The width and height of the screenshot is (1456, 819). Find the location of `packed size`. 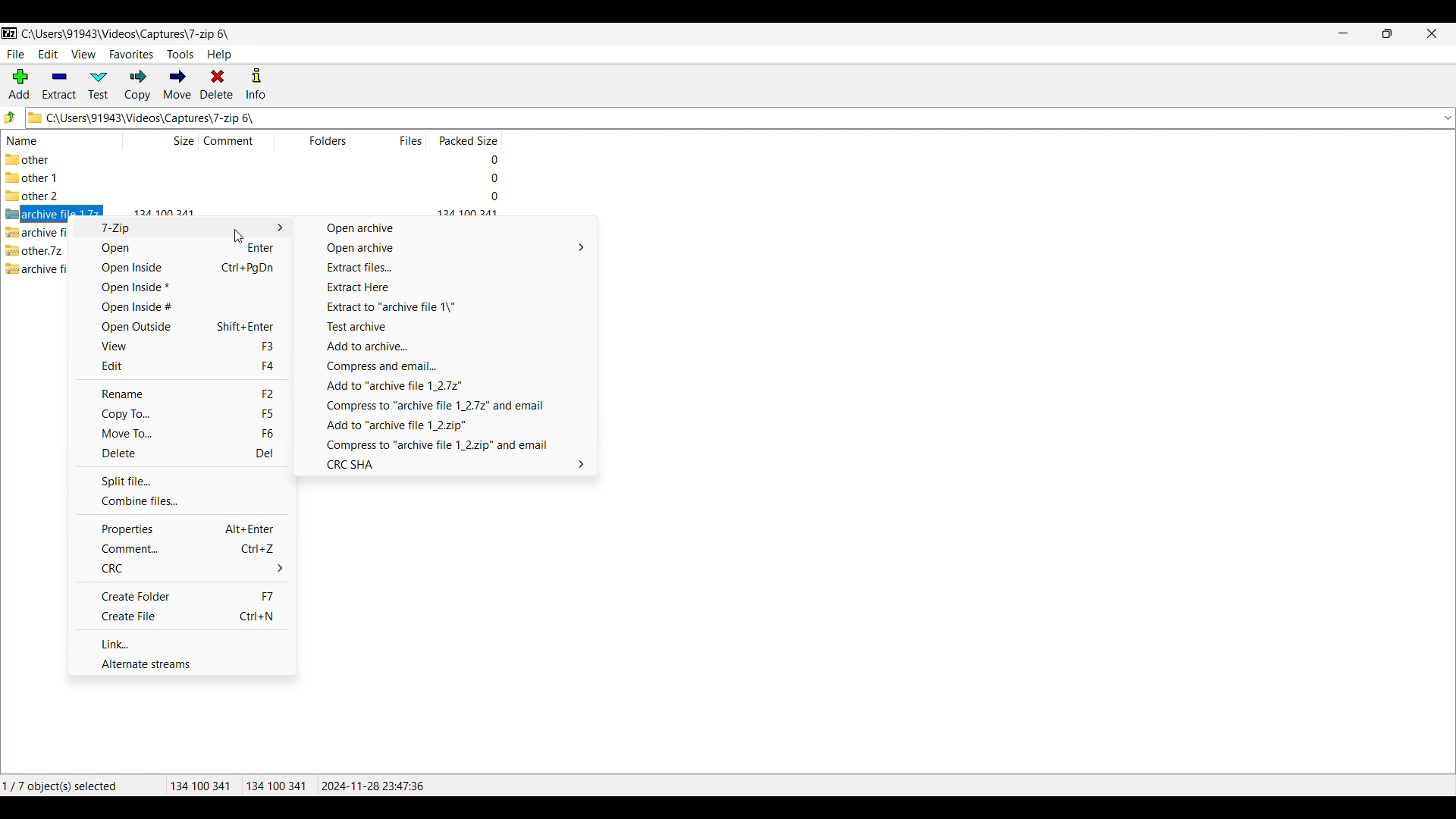

packed size is located at coordinates (485, 158).